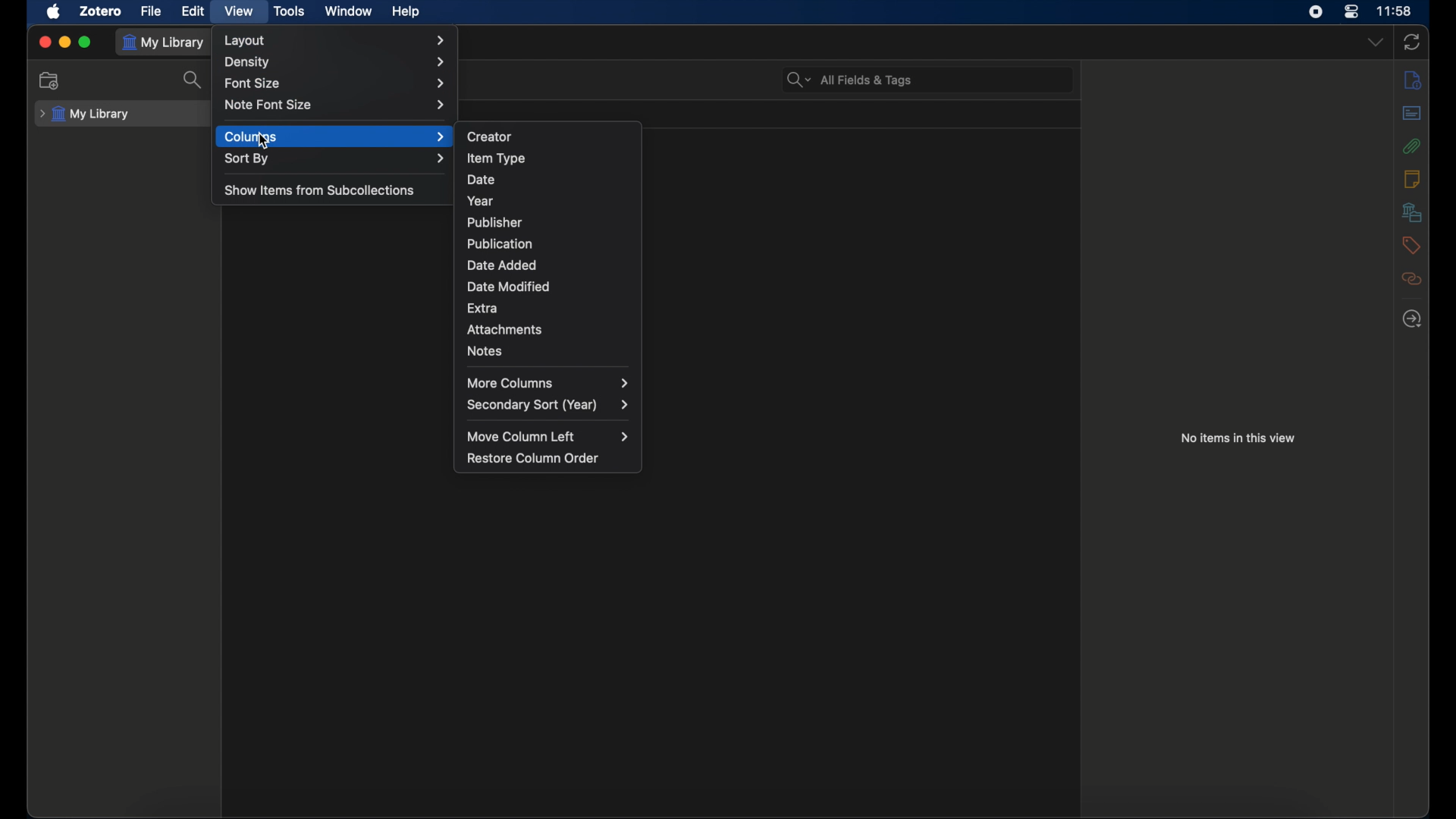 Image resolution: width=1456 pixels, height=819 pixels. I want to click on my library, so click(164, 42).